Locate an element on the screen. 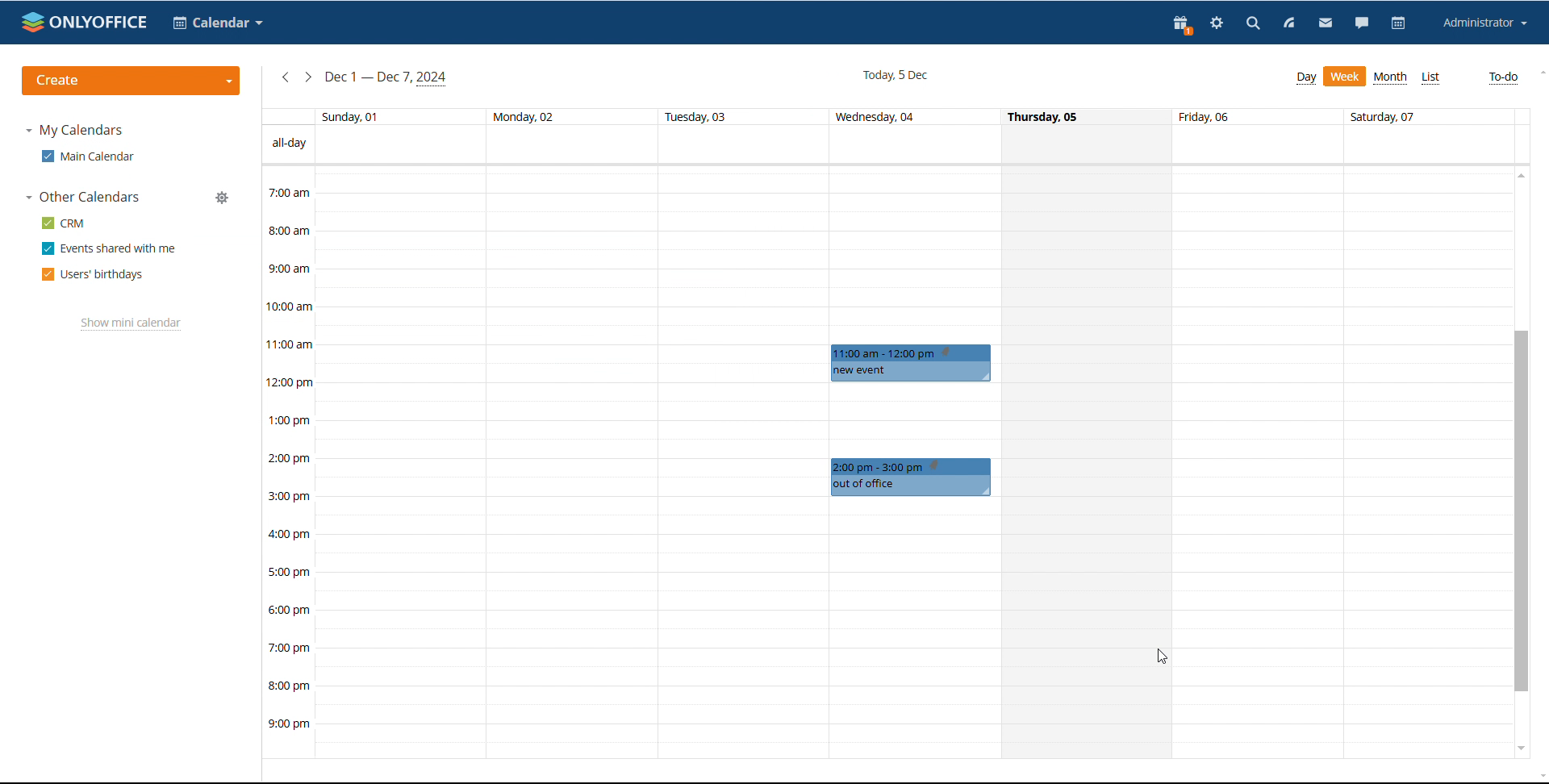 Image resolution: width=1549 pixels, height=784 pixels. other calendars is located at coordinates (82, 197).